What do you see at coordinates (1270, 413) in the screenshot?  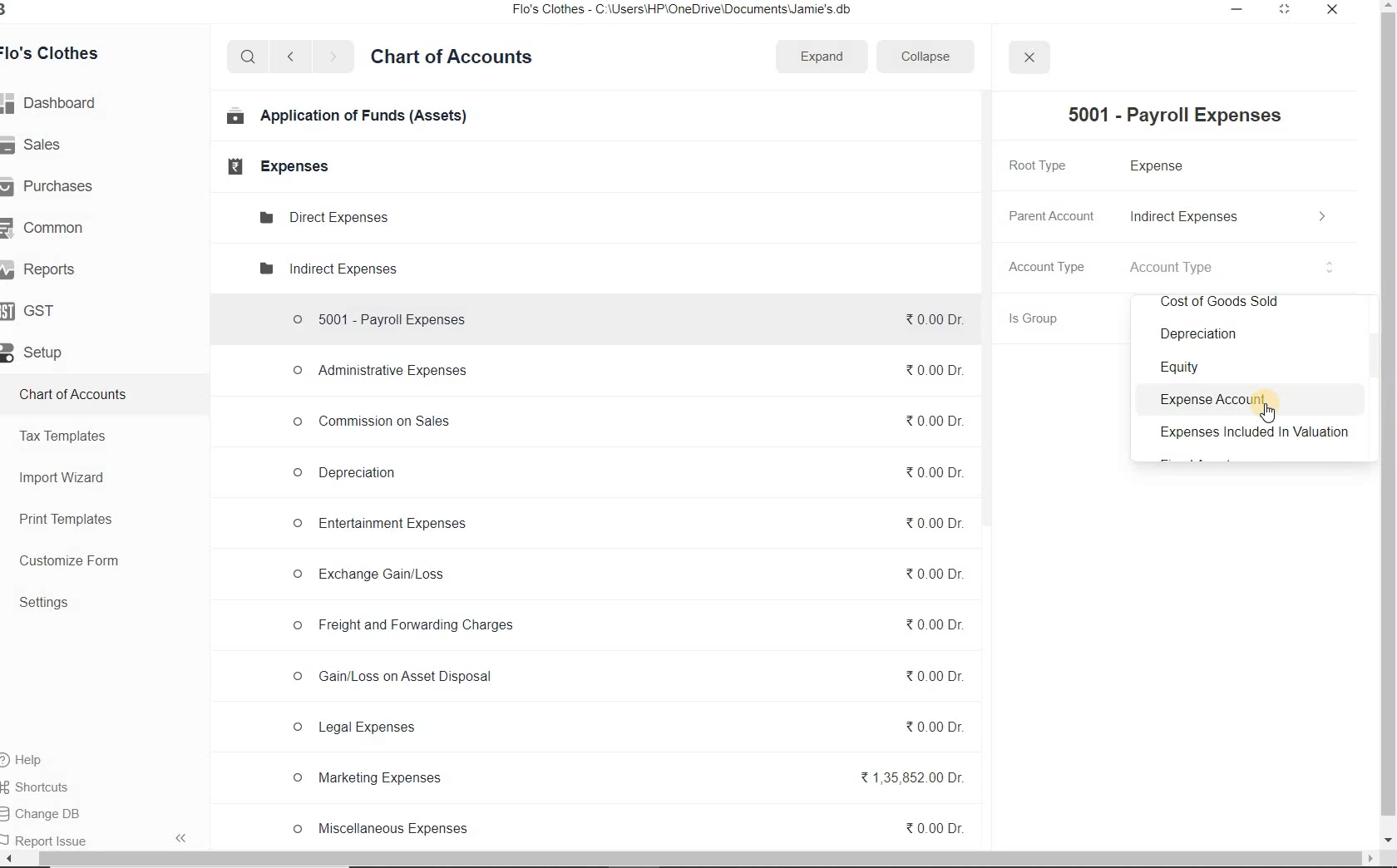 I see `cursor` at bounding box center [1270, 413].